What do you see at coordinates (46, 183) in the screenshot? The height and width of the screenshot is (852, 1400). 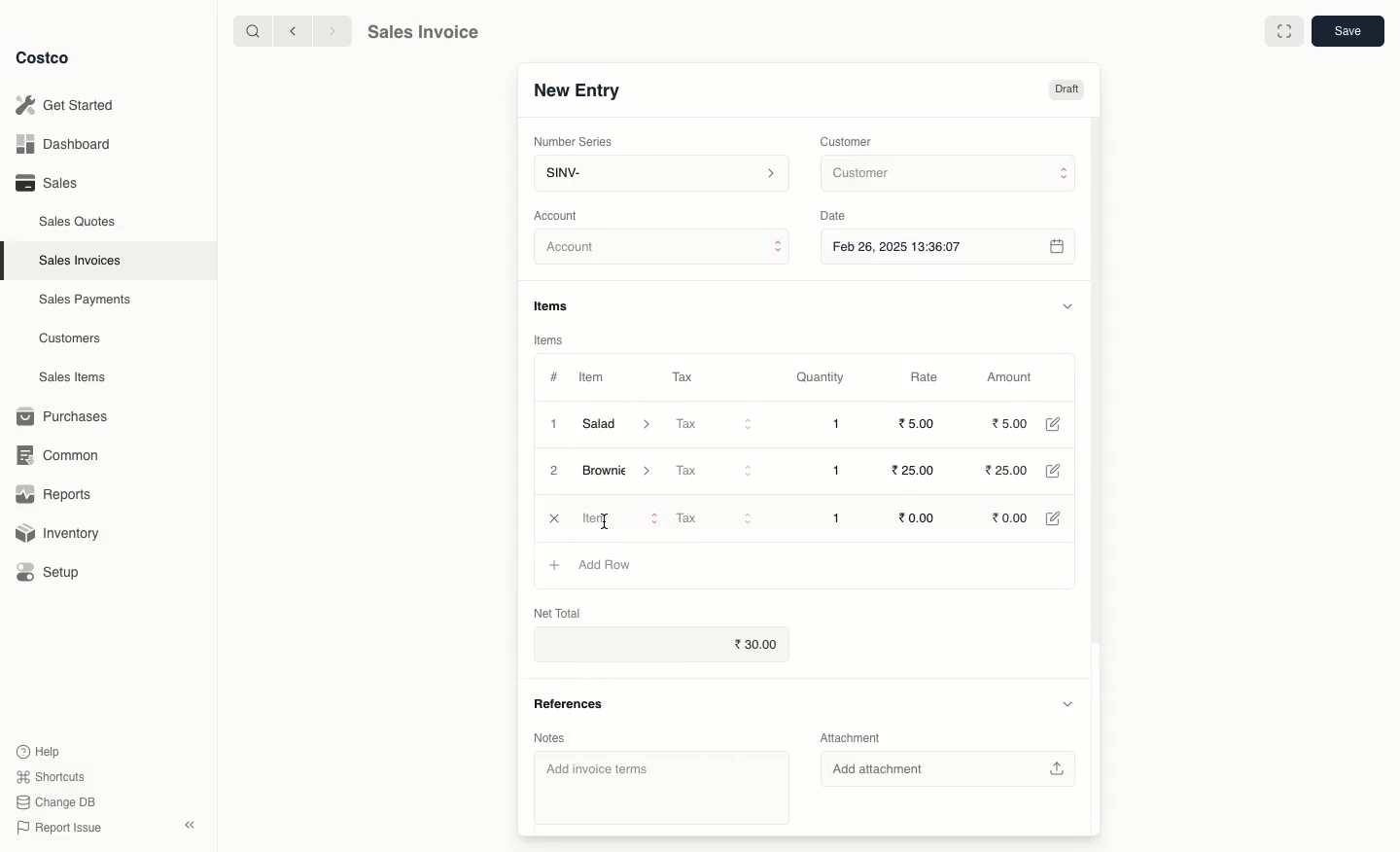 I see `Sales` at bounding box center [46, 183].